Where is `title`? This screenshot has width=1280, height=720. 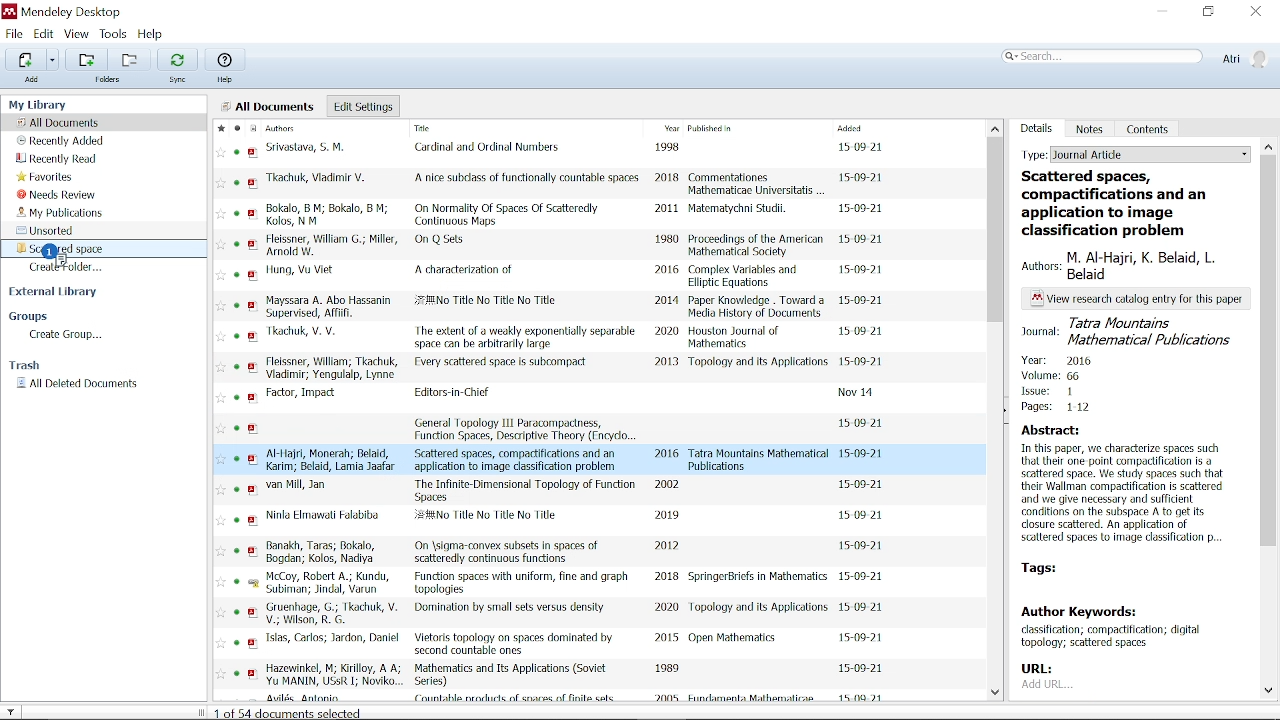 title is located at coordinates (513, 645).